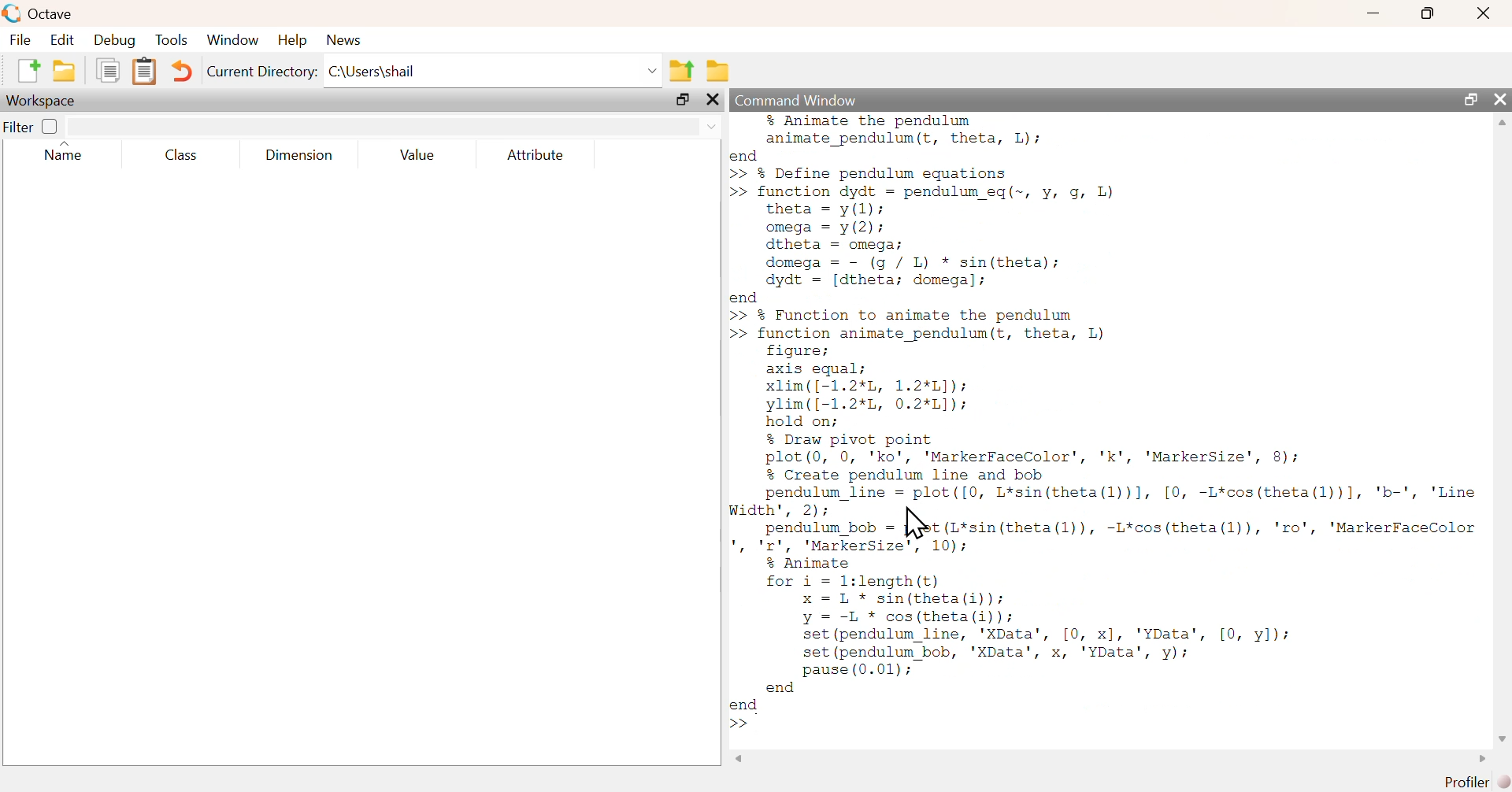 This screenshot has width=1512, height=792. Describe the element at coordinates (720, 72) in the screenshot. I see `Browse directories` at that location.